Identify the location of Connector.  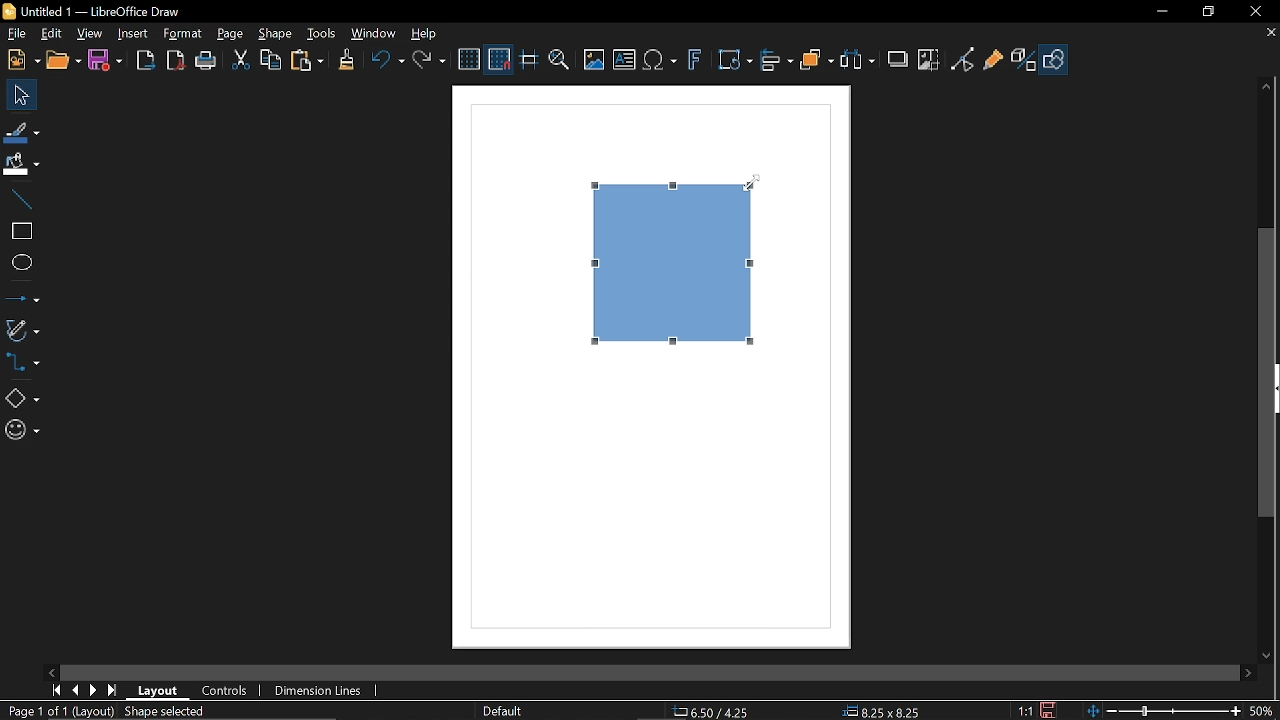
(26, 365).